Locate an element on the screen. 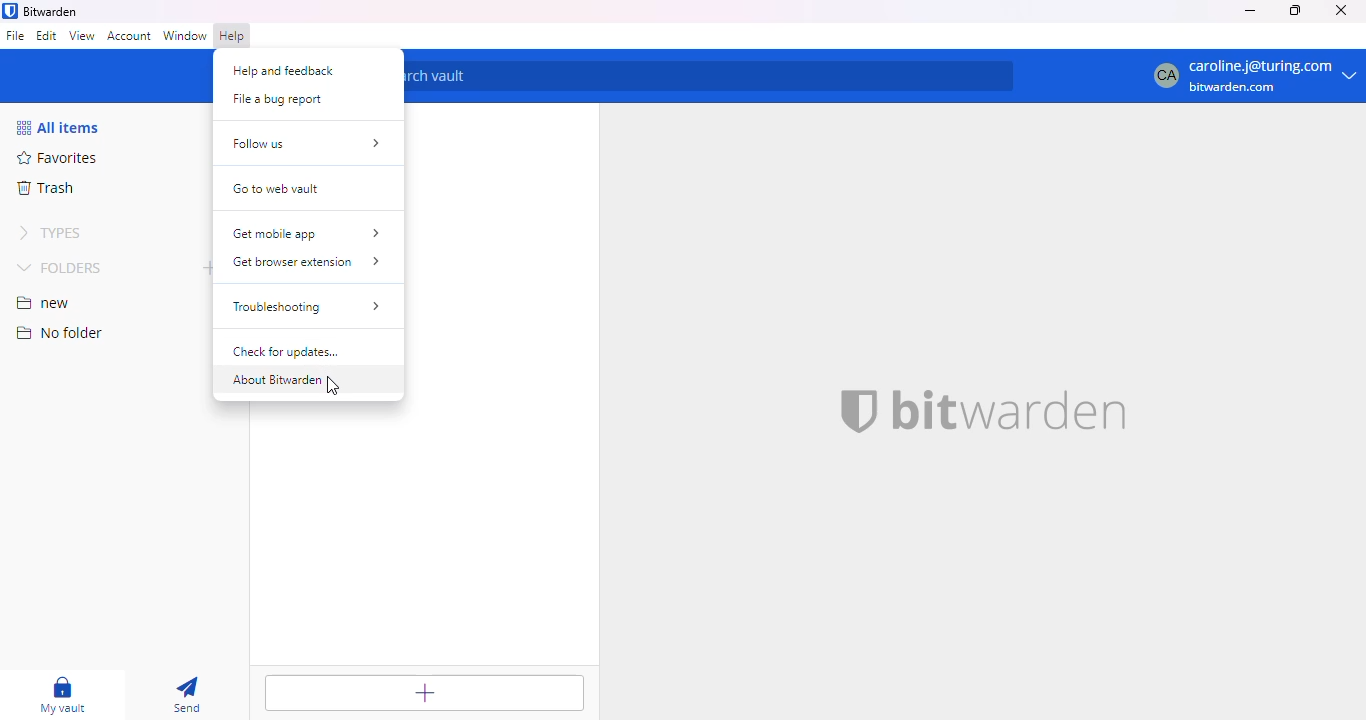  account is located at coordinates (129, 37).